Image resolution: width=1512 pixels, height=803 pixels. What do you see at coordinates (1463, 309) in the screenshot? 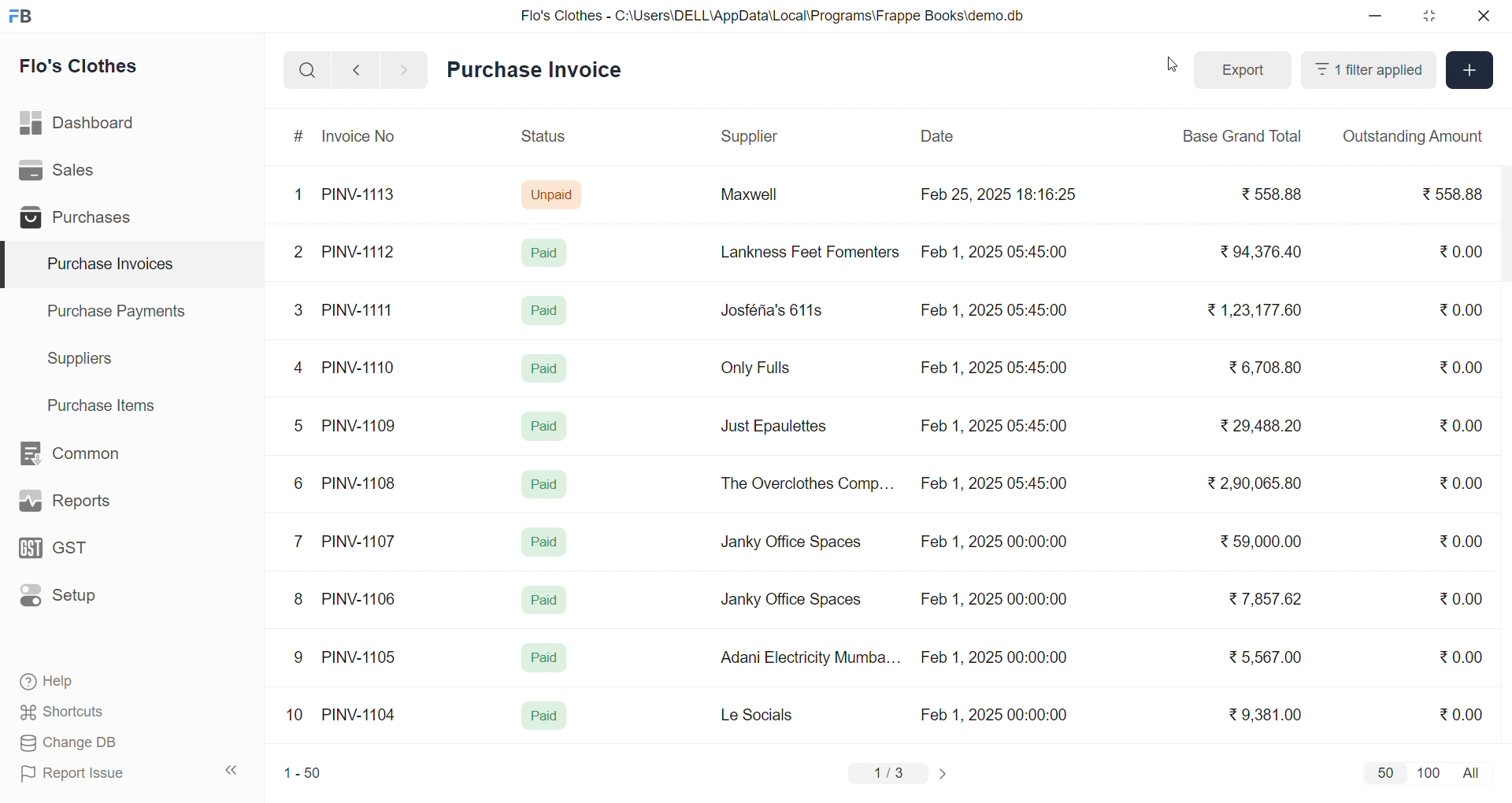
I see `₹0.00` at bounding box center [1463, 309].